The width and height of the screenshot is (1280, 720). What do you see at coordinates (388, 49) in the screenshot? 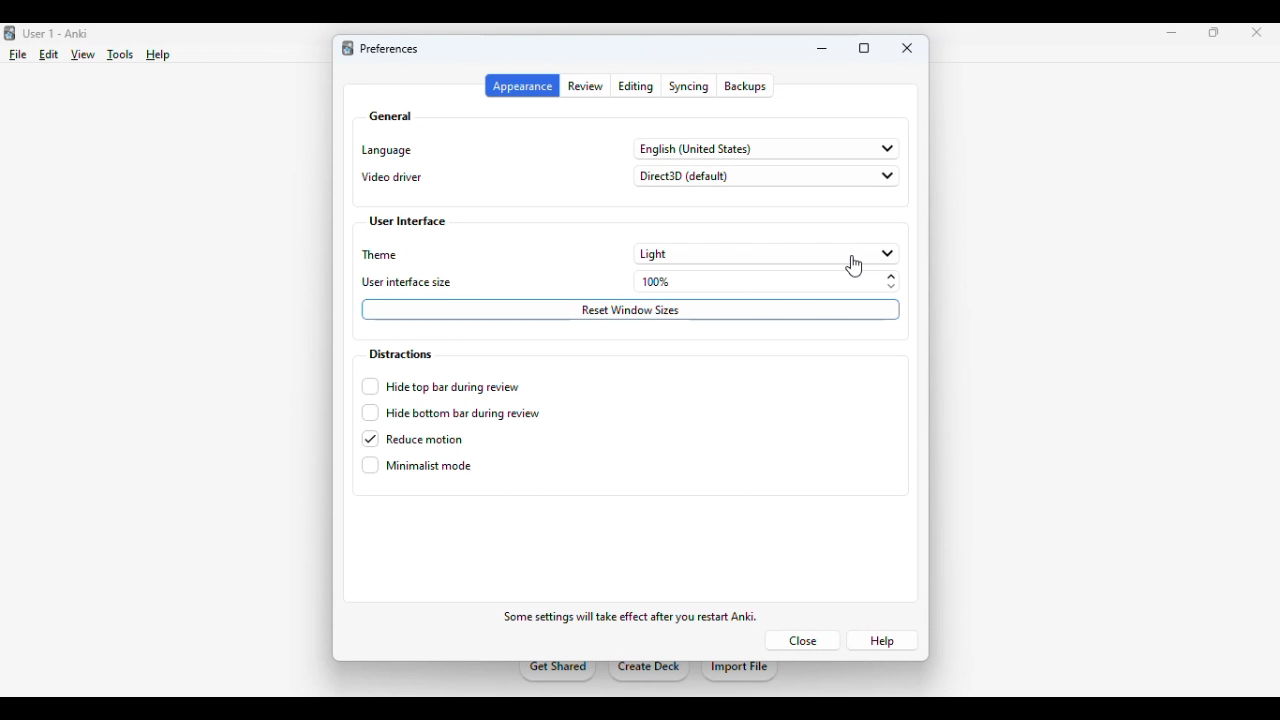
I see `preferences` at bounding box center [388, 49].